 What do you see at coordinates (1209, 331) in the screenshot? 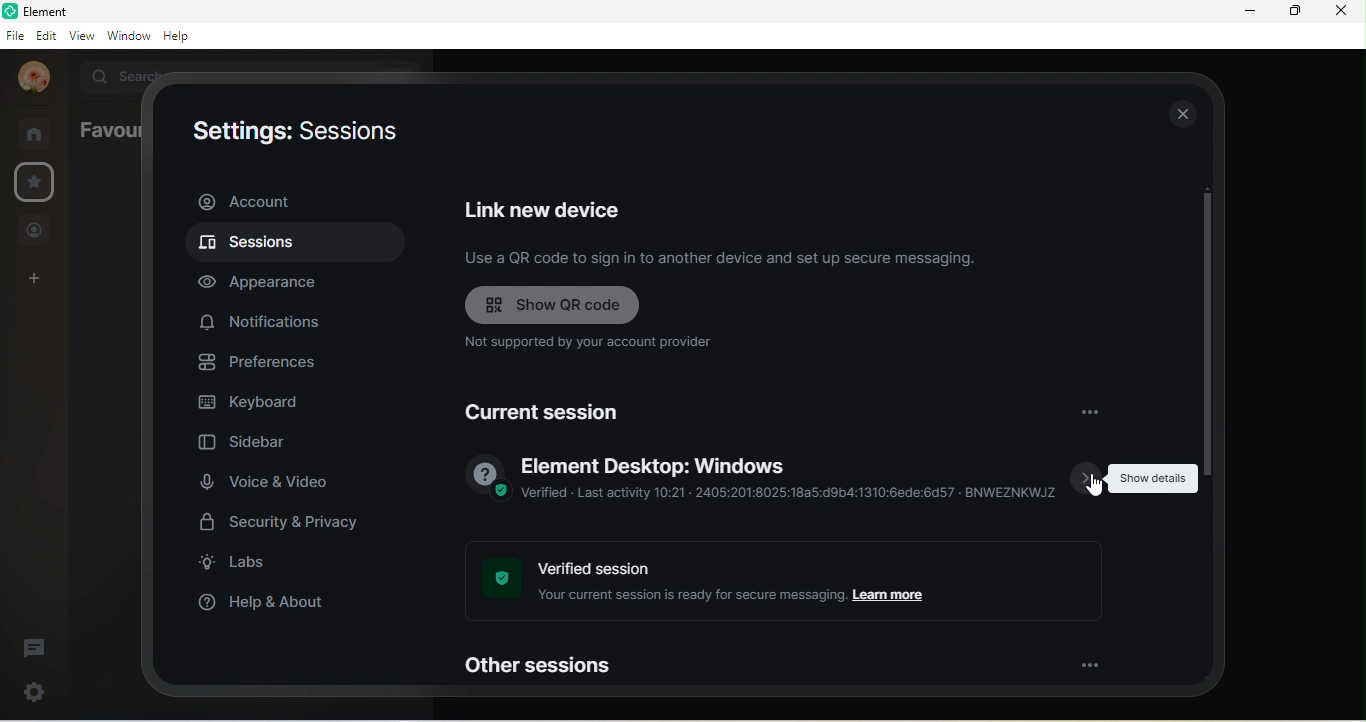
I see `vertical scroll bar` at bounding box center [1209, 331].